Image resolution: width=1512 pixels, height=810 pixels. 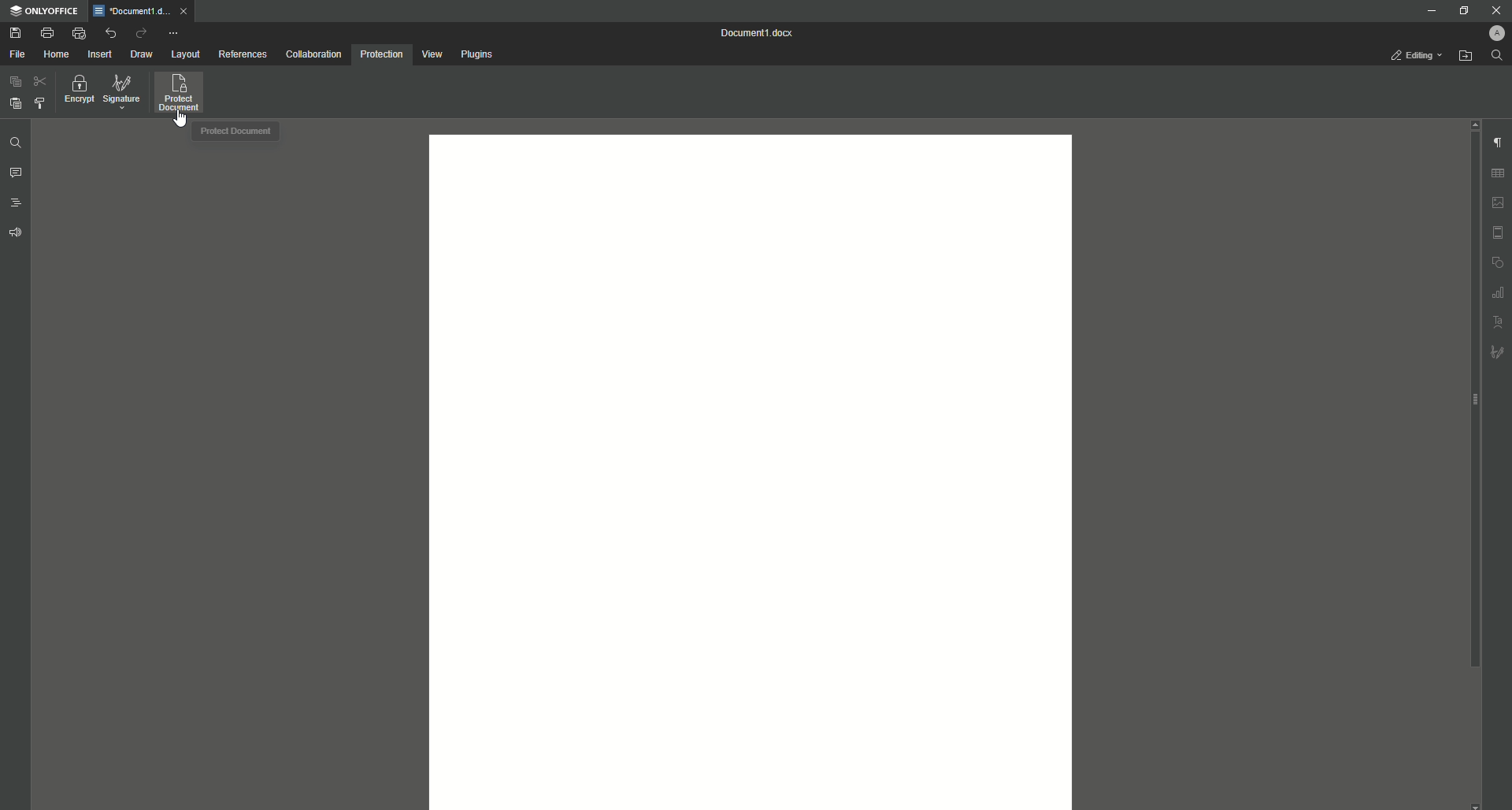 I want to click on File, so click(x=17, y=54).